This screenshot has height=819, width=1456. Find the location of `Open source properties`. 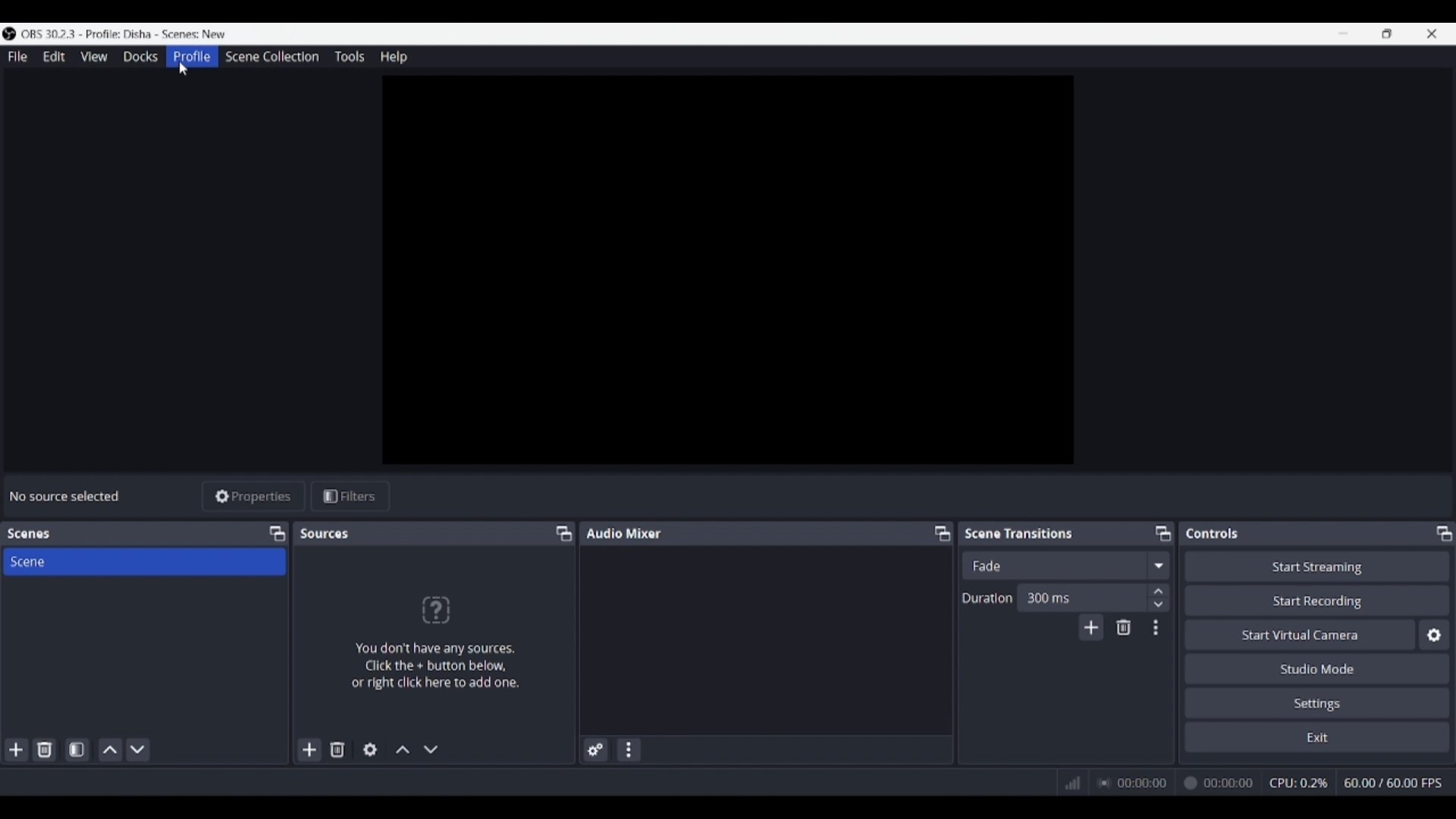

Open source properties is located at coordinates (370, 750).